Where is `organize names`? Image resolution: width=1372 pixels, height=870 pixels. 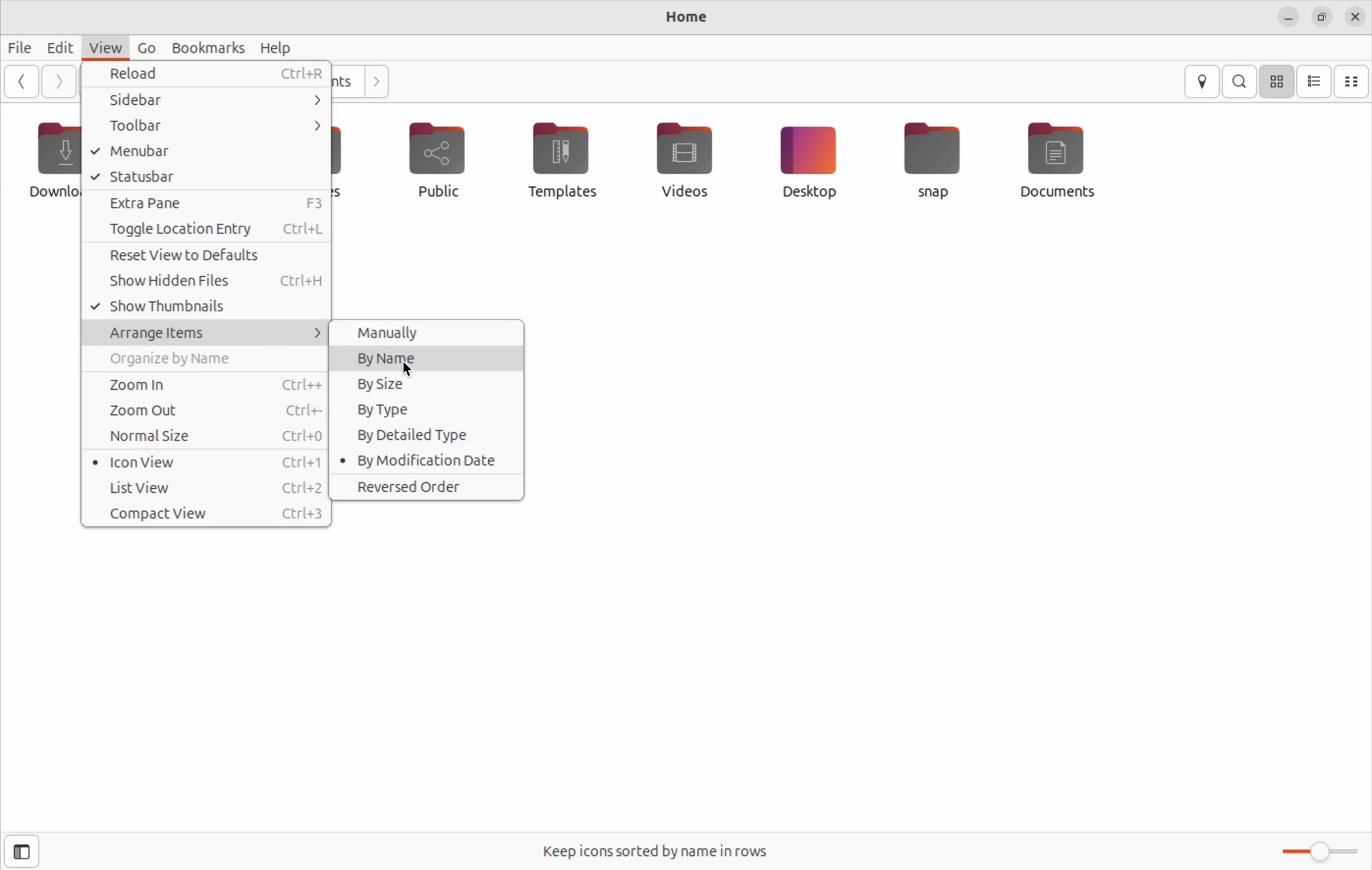
organize names is located at coordinates (206, 361).